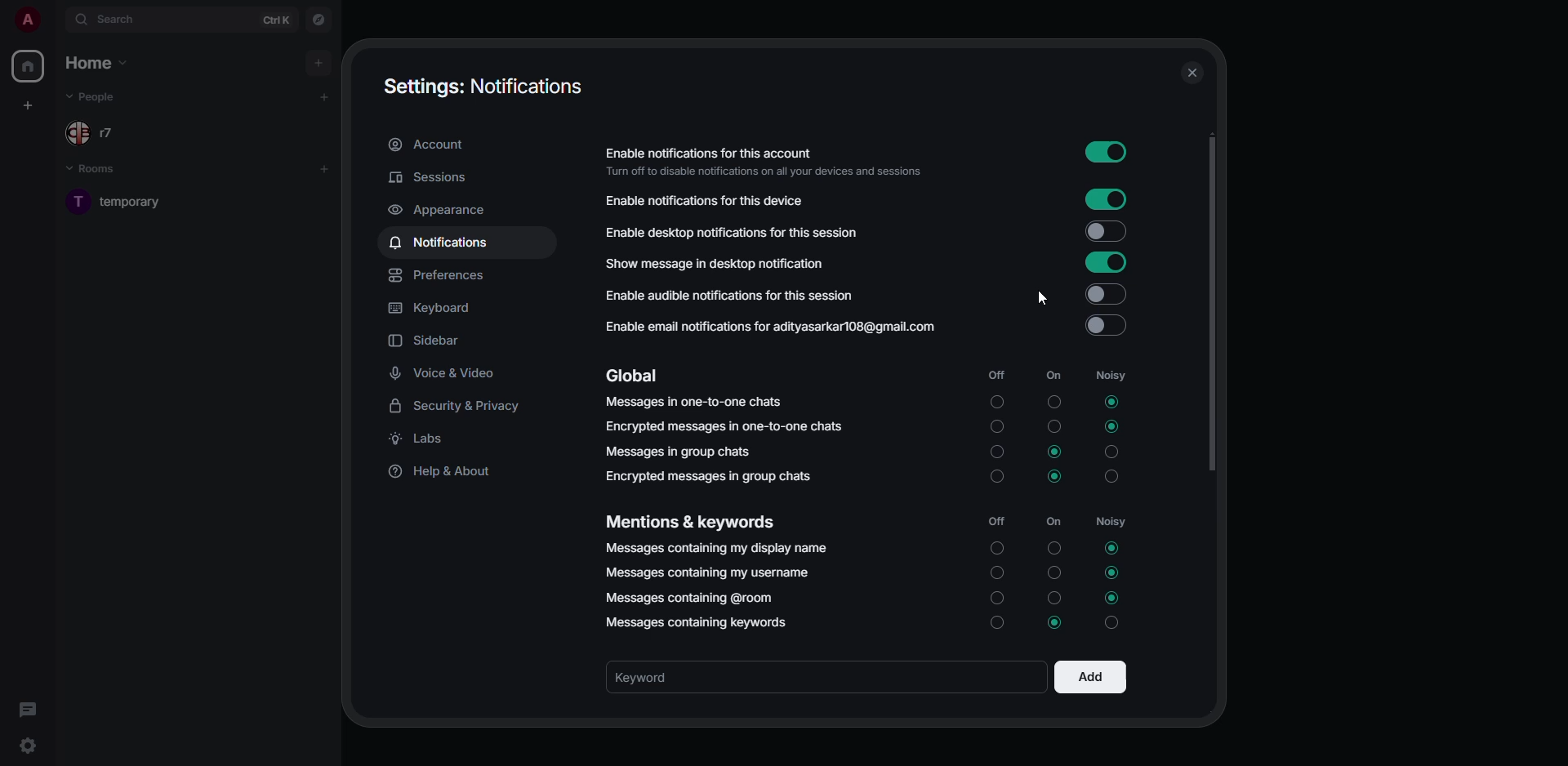 This screenshot has height=766, width=1568. Describe the element at coordinates (996, 521) in the screenshot. I see `off` at that location.